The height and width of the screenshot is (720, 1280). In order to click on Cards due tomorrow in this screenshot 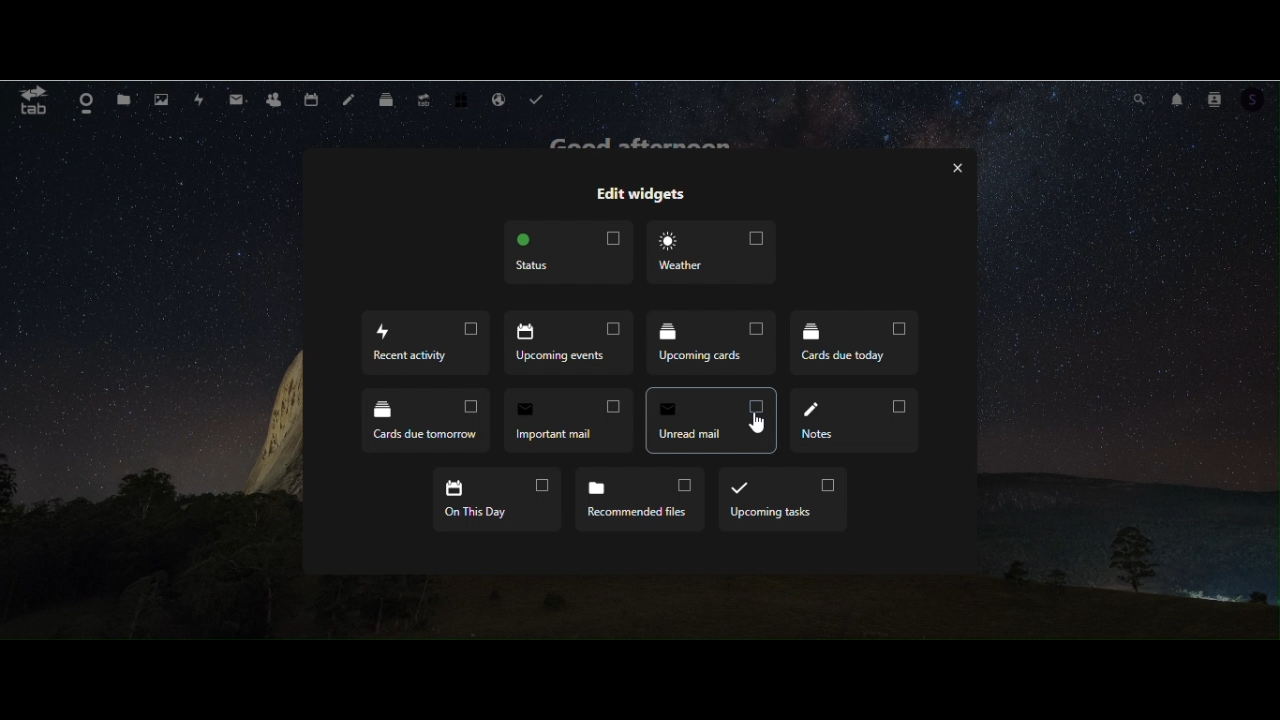, I will do `click(428, 421)`.